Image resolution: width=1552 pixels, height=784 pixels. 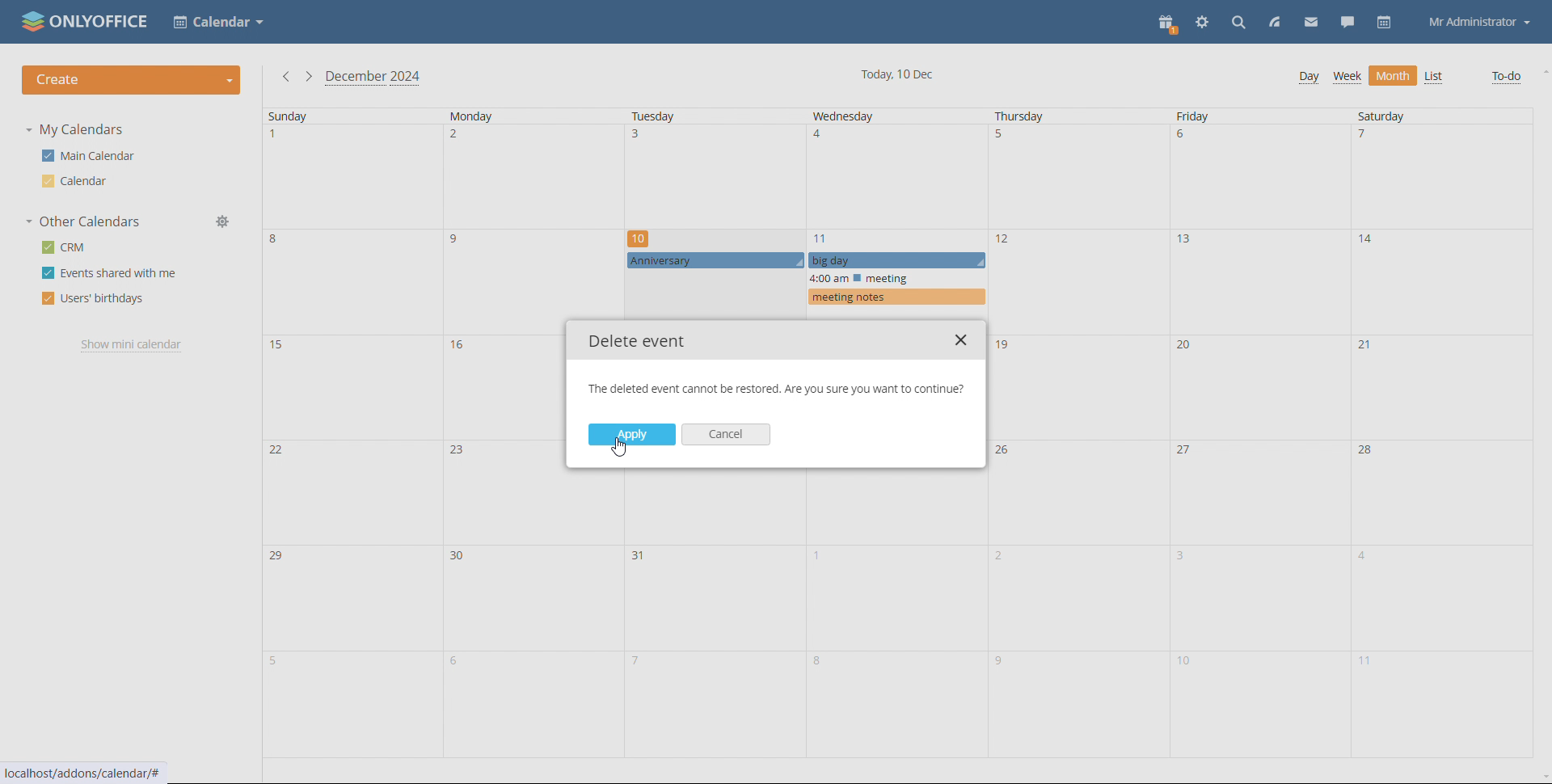 What do you see at coordinates (803, 267) in the screenshot?
I see `scheduled events` at bounding box center [803, 267].